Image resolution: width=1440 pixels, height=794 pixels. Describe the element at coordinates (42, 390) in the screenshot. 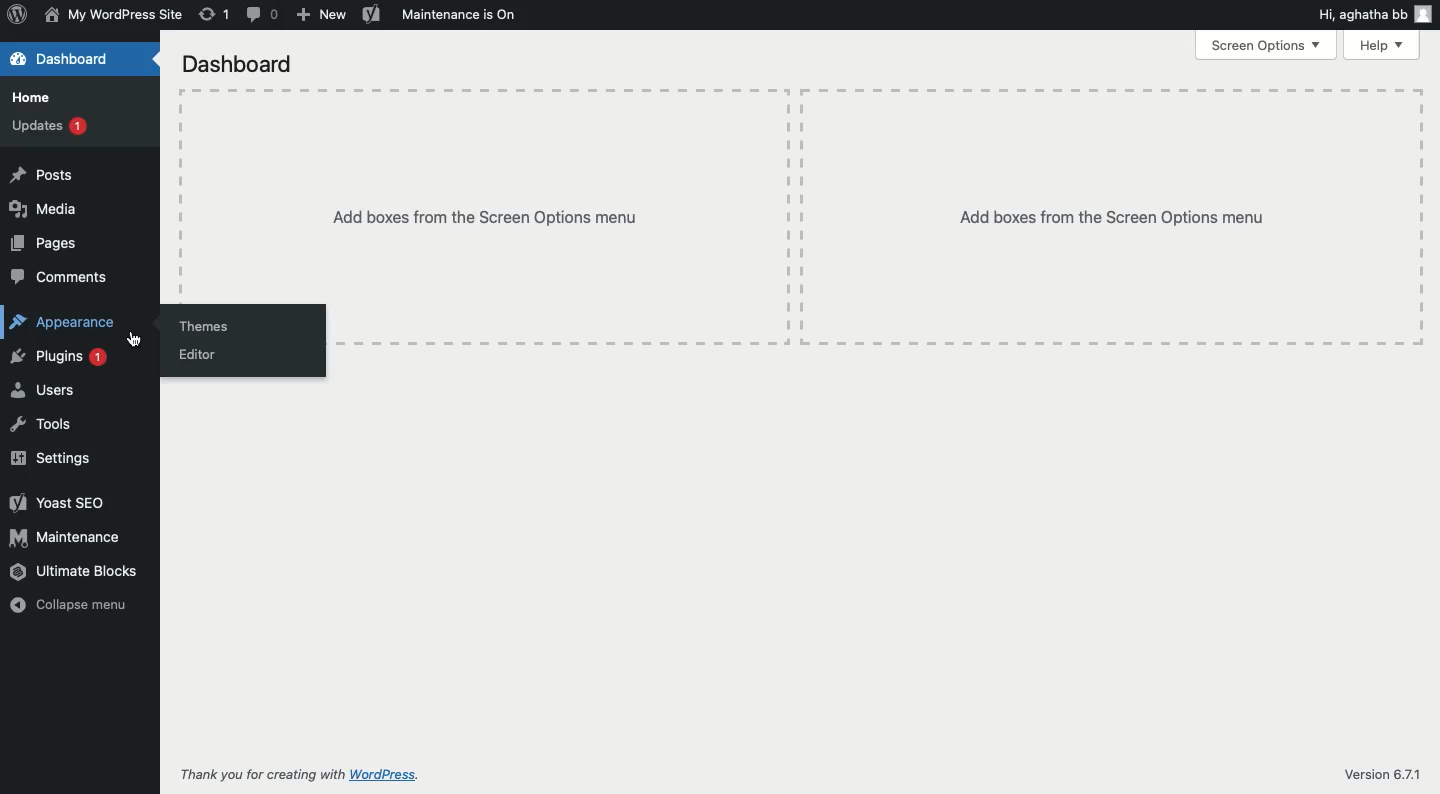

I see `Users` at that location.